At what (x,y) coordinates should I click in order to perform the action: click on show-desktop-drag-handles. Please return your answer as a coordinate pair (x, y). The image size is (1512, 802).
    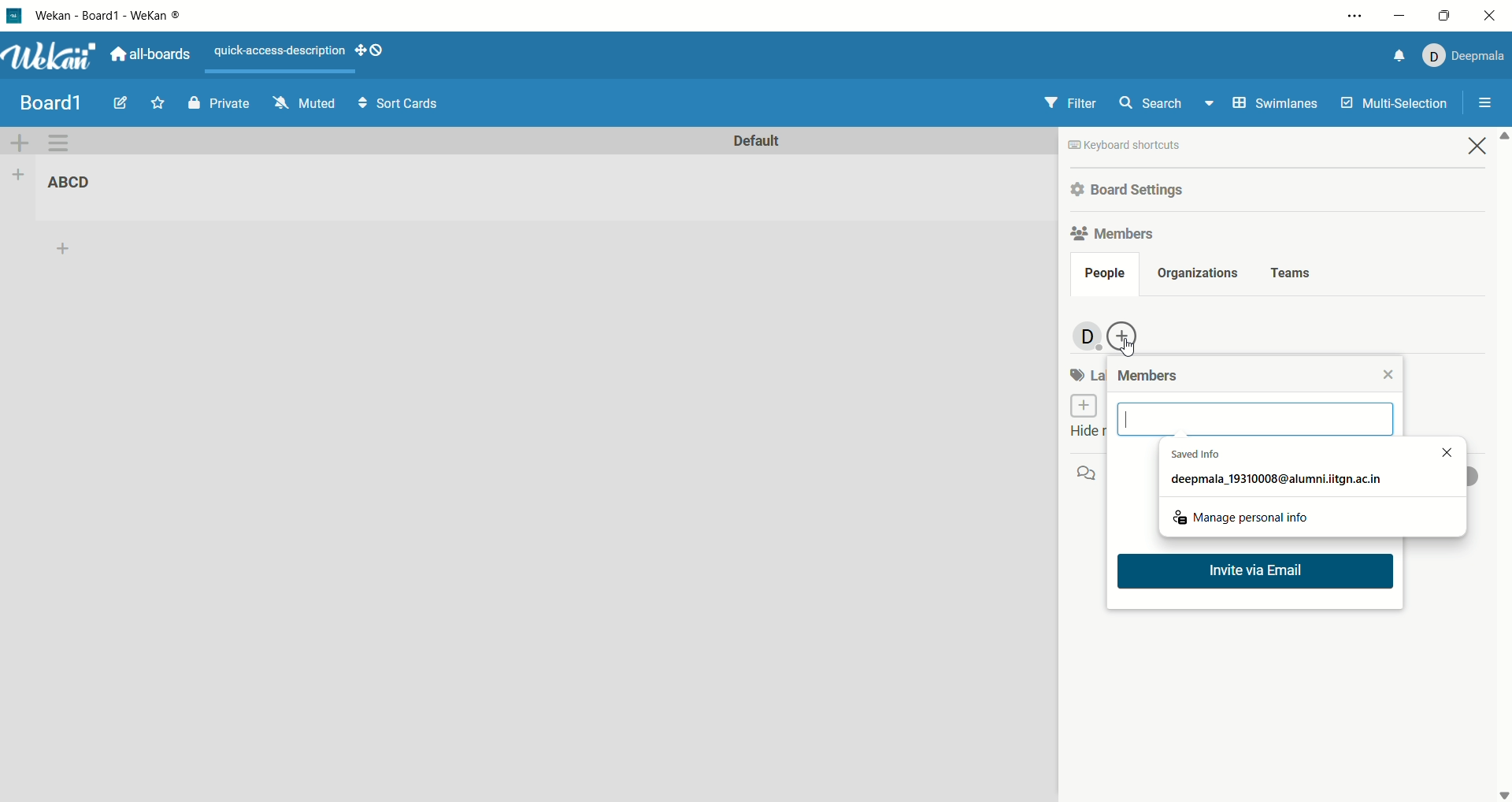
    Looking at the image, I should click on (361, 52).